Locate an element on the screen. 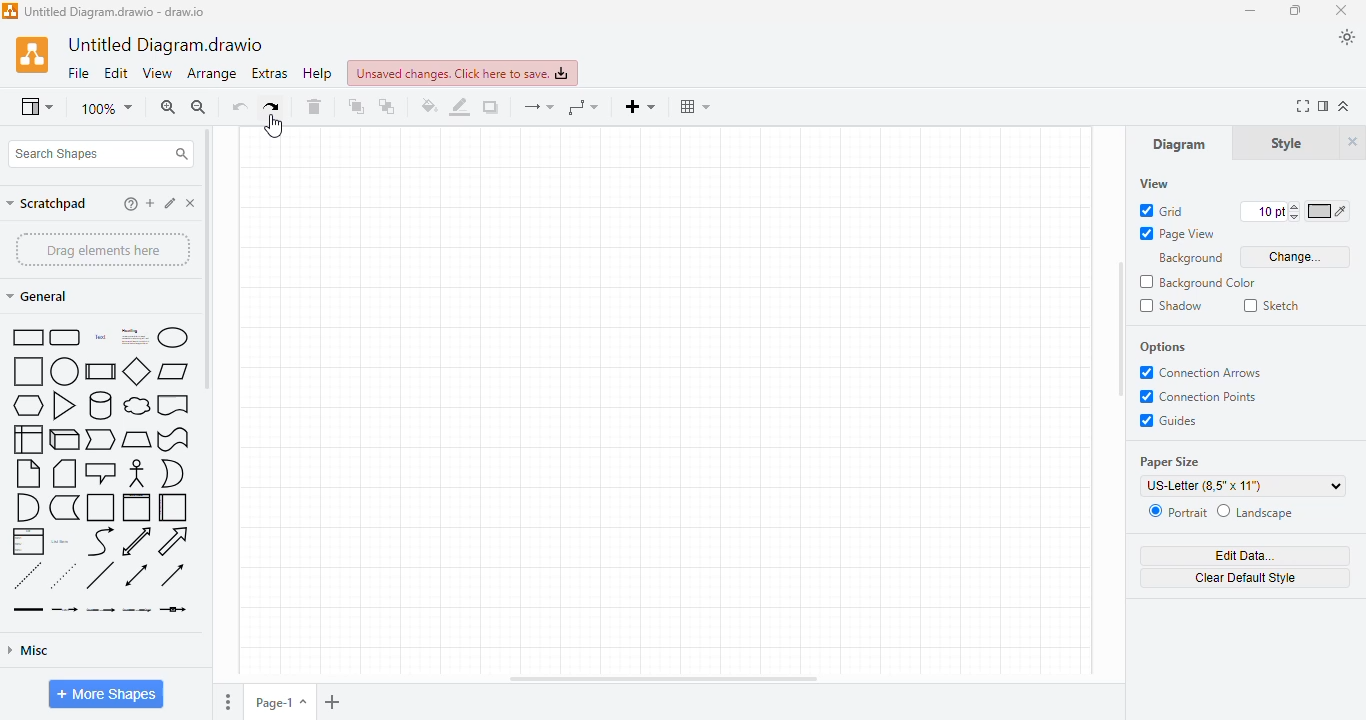  format is located at coordinates (1325, 106).